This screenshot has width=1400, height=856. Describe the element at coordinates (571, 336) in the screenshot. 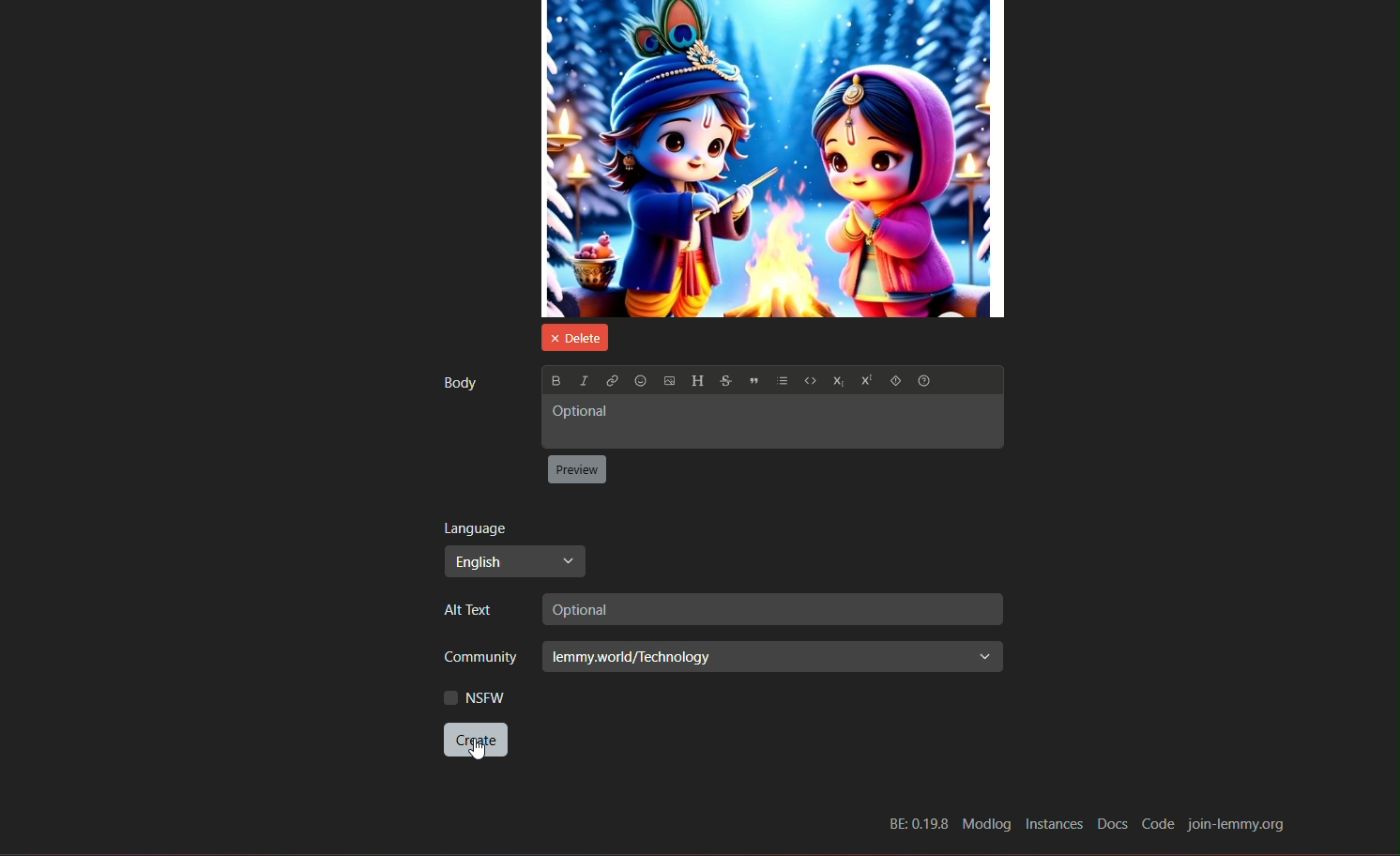

I see `Delete` at that location.